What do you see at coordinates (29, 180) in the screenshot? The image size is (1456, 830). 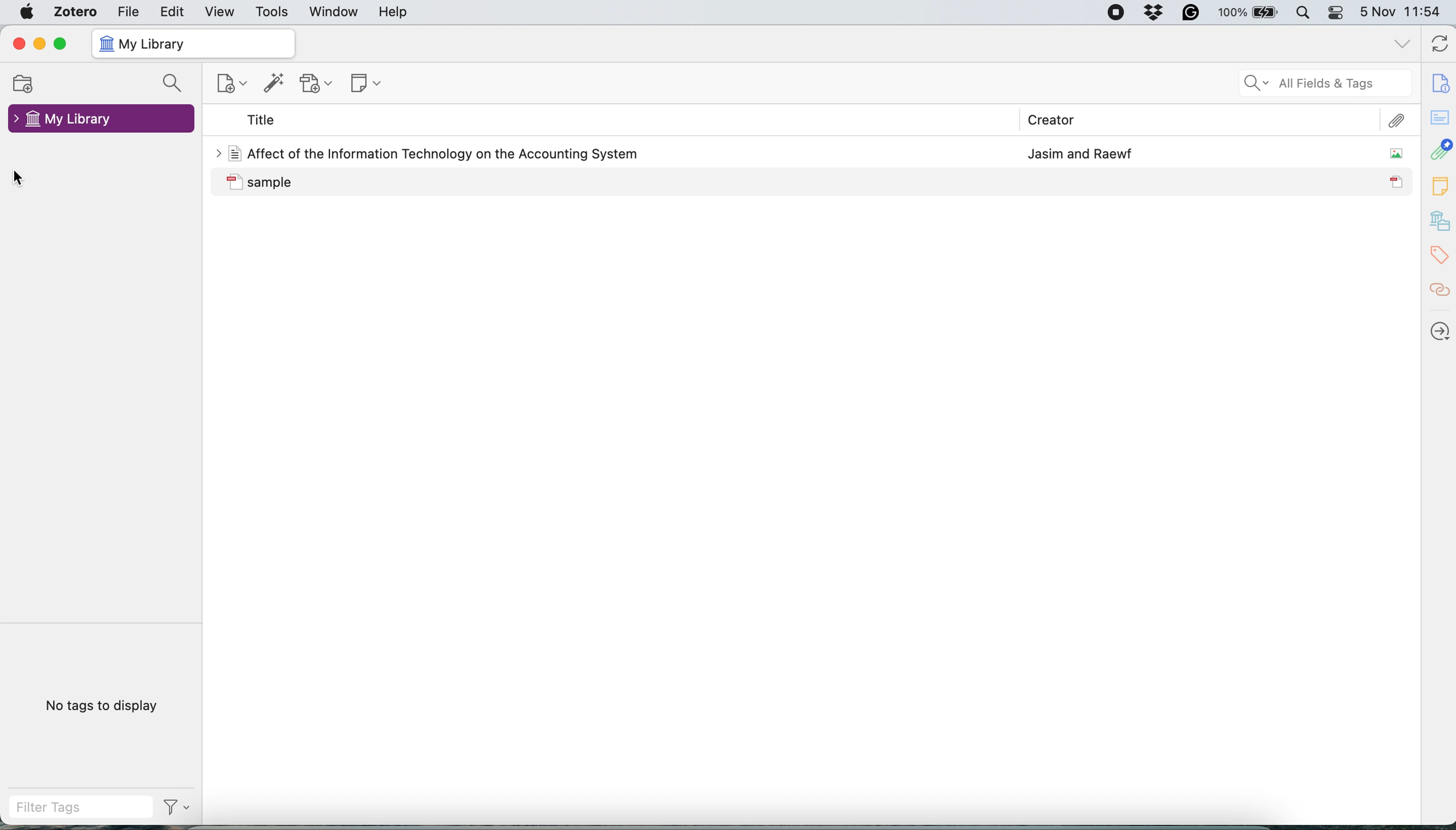 I see `cursor` at bounding box center [29, 180].